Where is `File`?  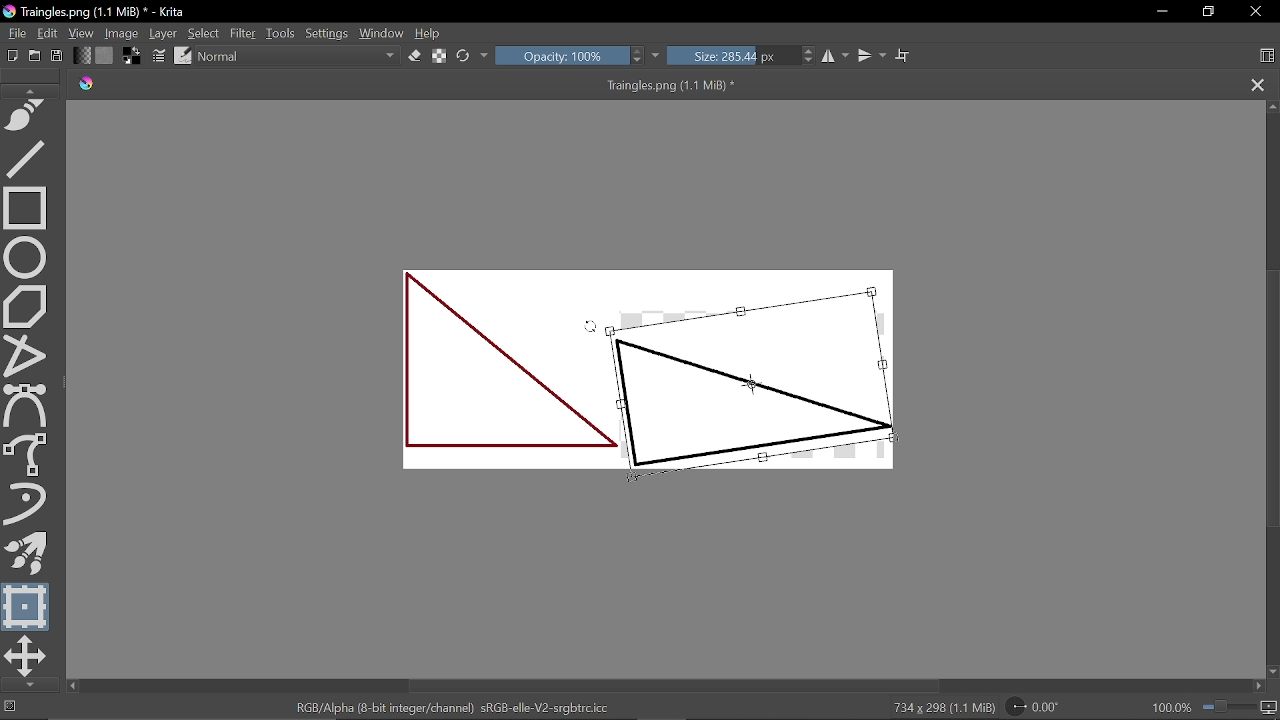
File is located at coordinates (14, 33).